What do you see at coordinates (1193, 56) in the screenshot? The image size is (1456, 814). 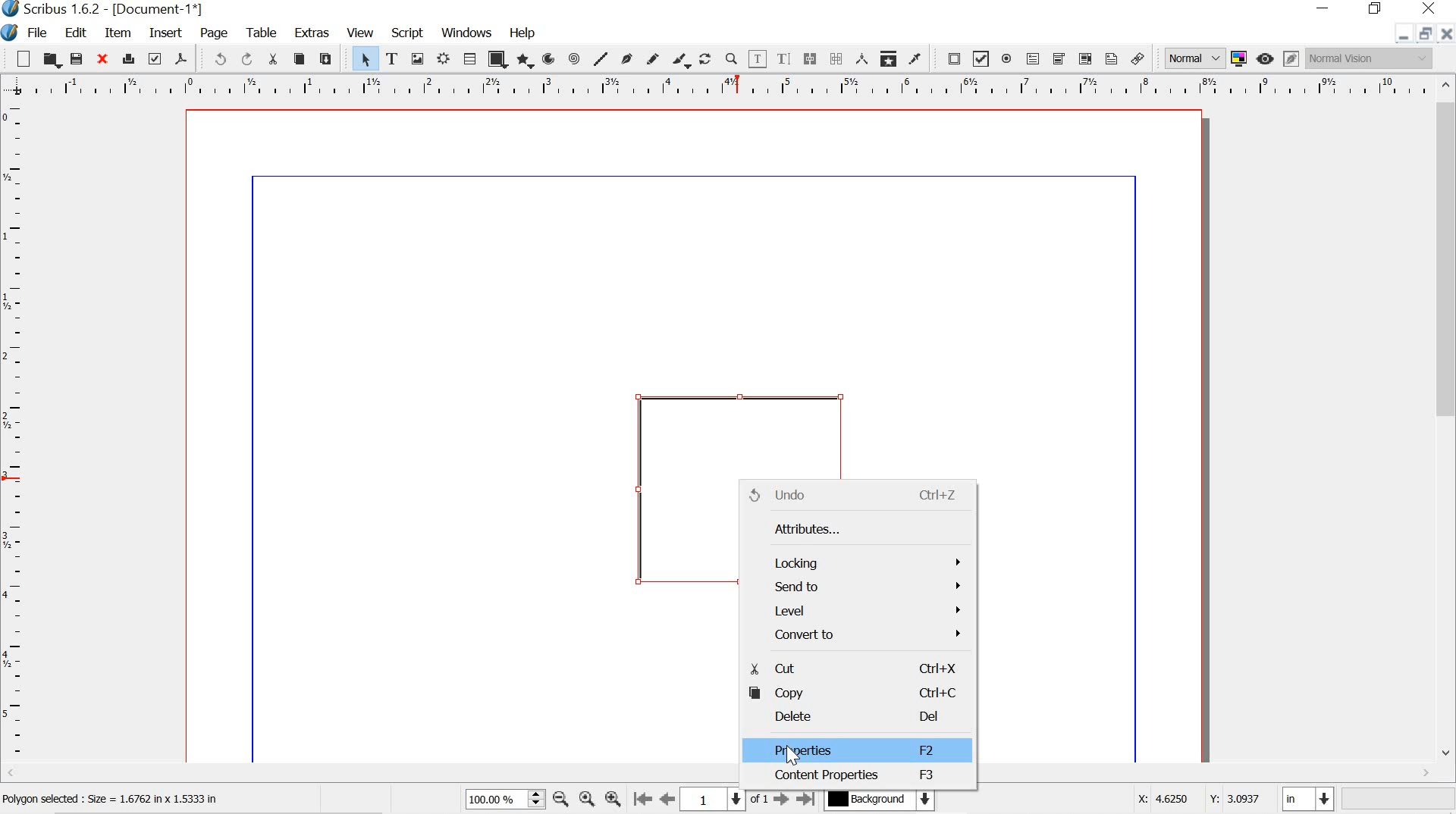 I see `normal` at bounding box center [1193, 56].